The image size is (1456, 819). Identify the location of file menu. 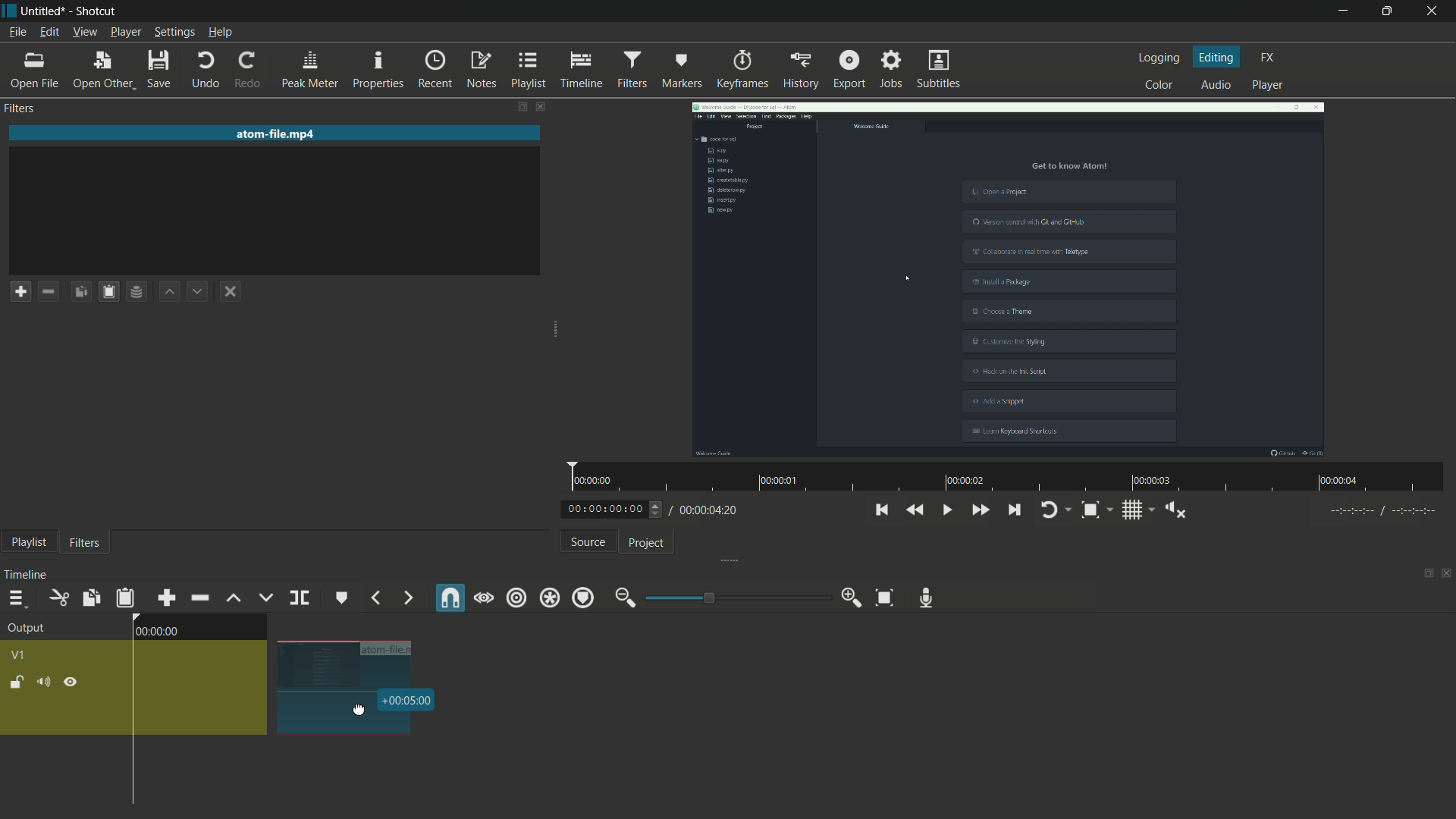
(17, 32).